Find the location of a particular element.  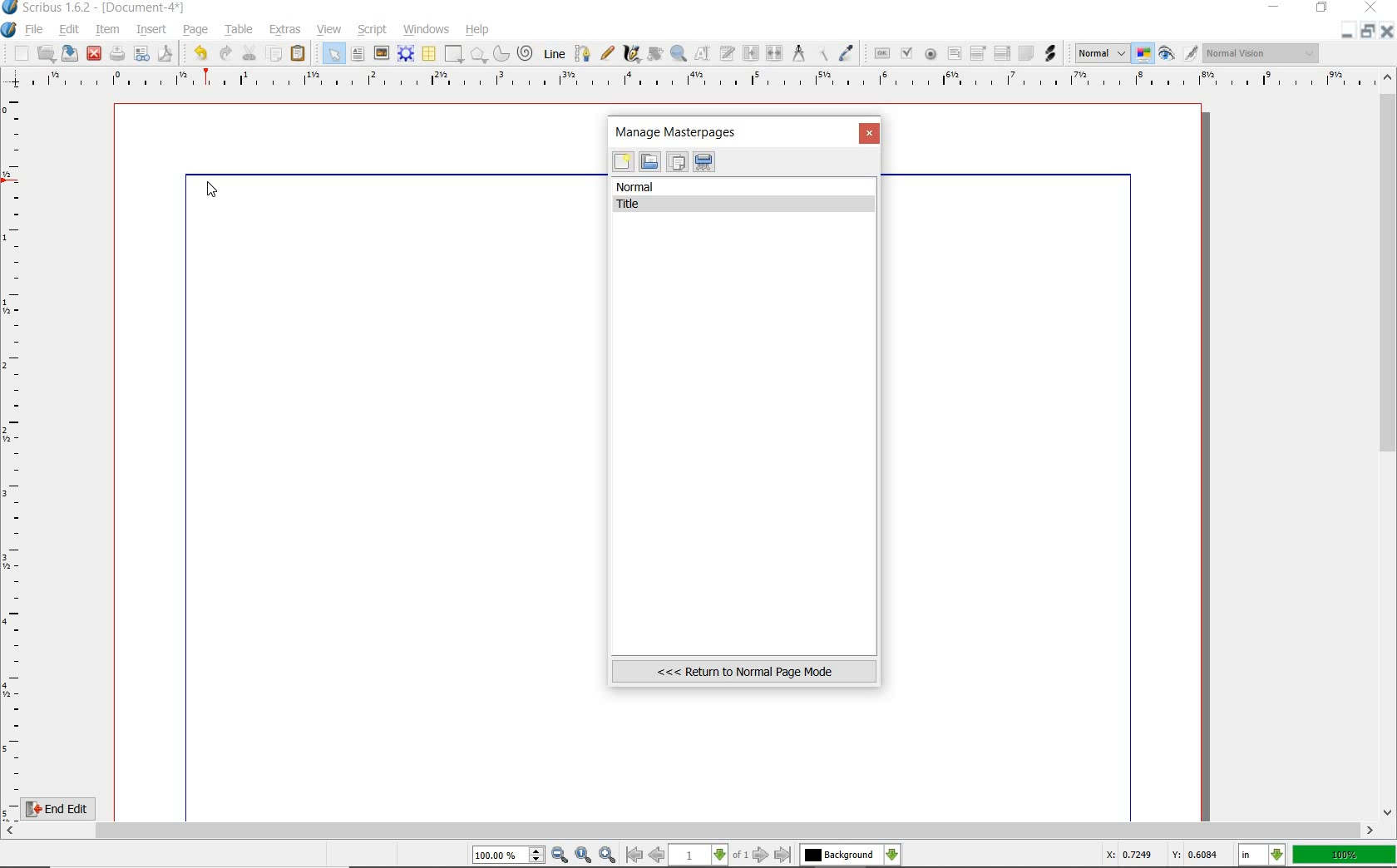

copy is located at coordinates (274, 52).